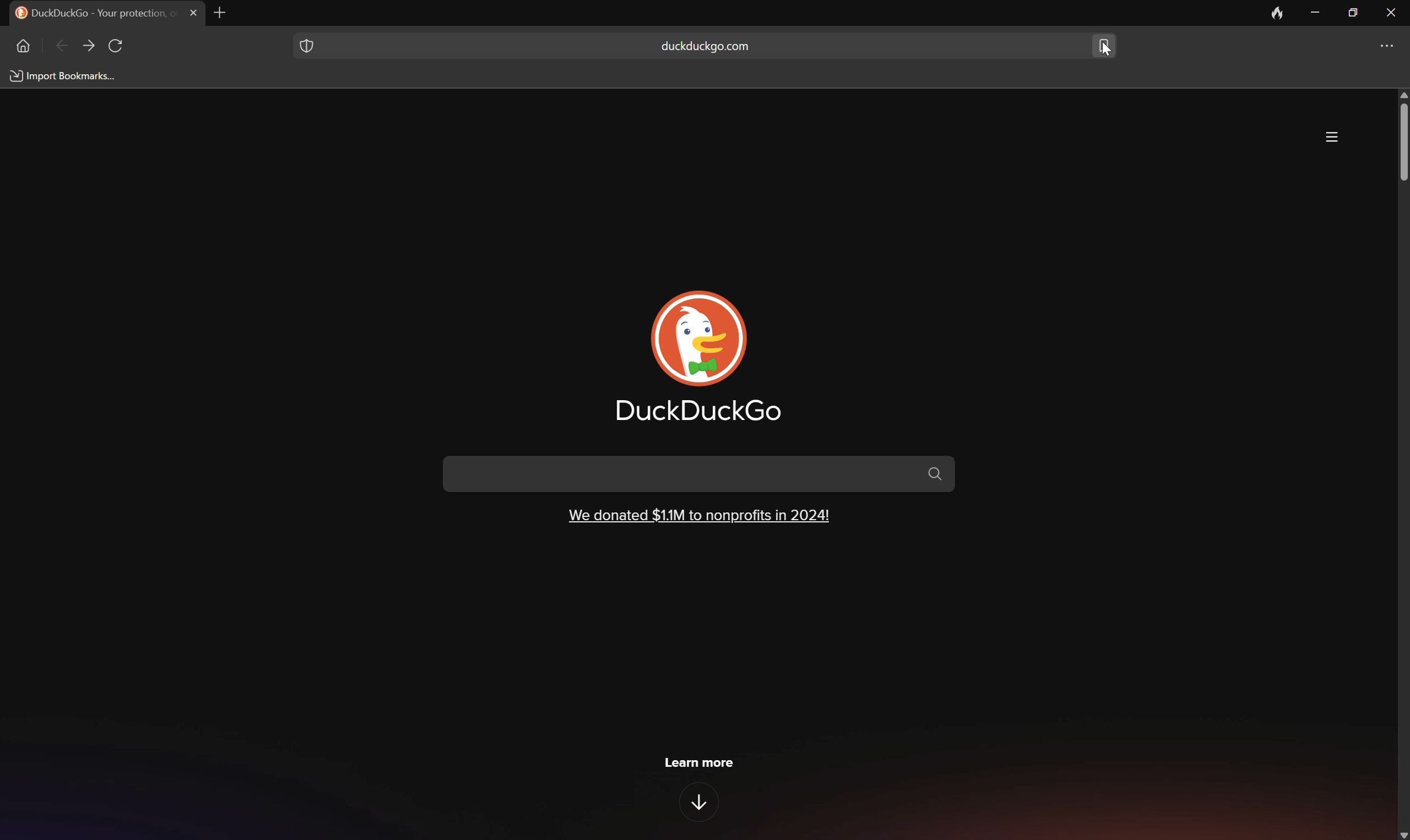 Image resolution: width=1410 pixels, height=840 pixels. I want to click on DuckDuckGo logo, so click(700, 338).